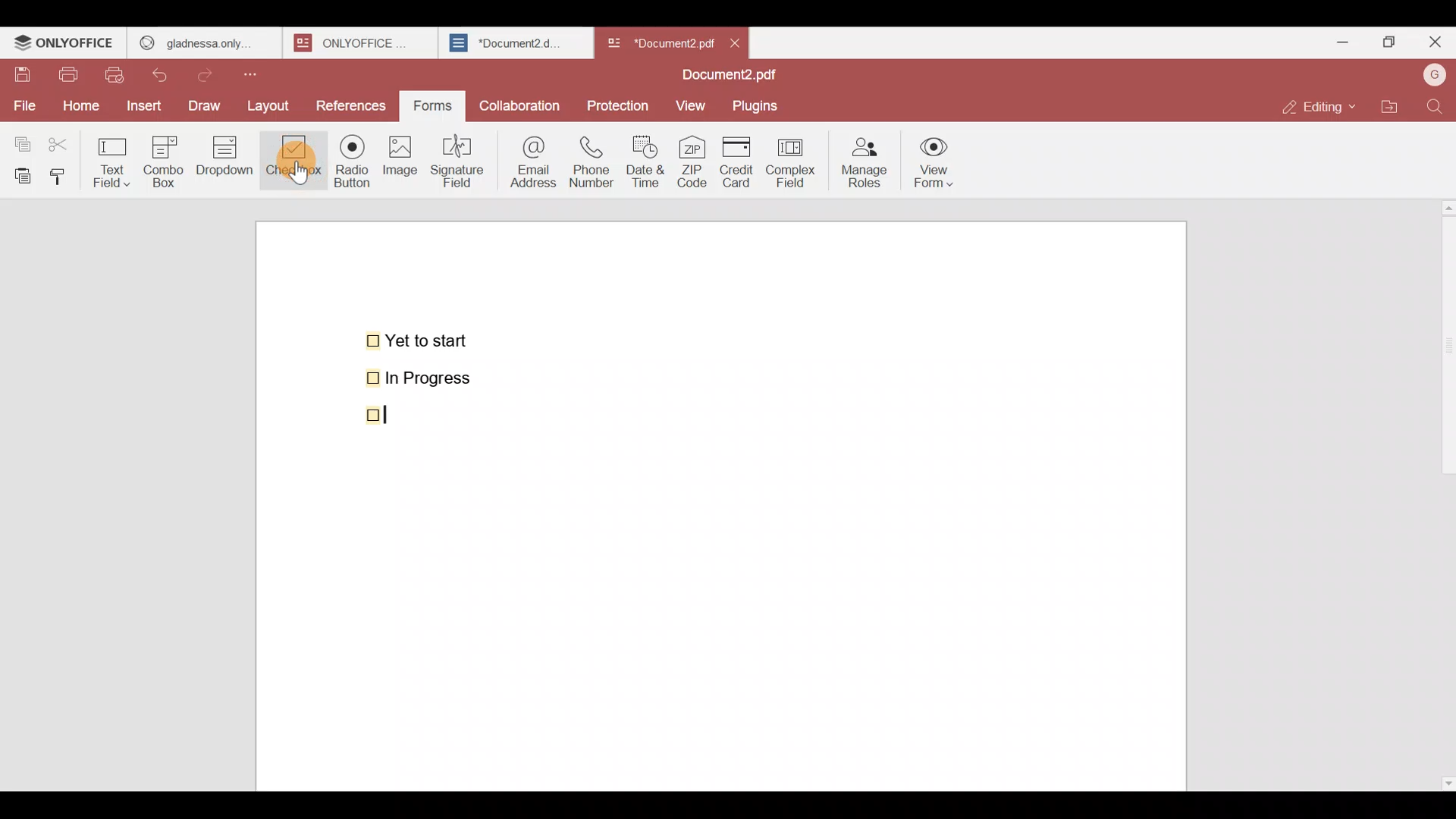 This screenshot has width=1456, height=819. I want to click on View form, so click(936, 163).